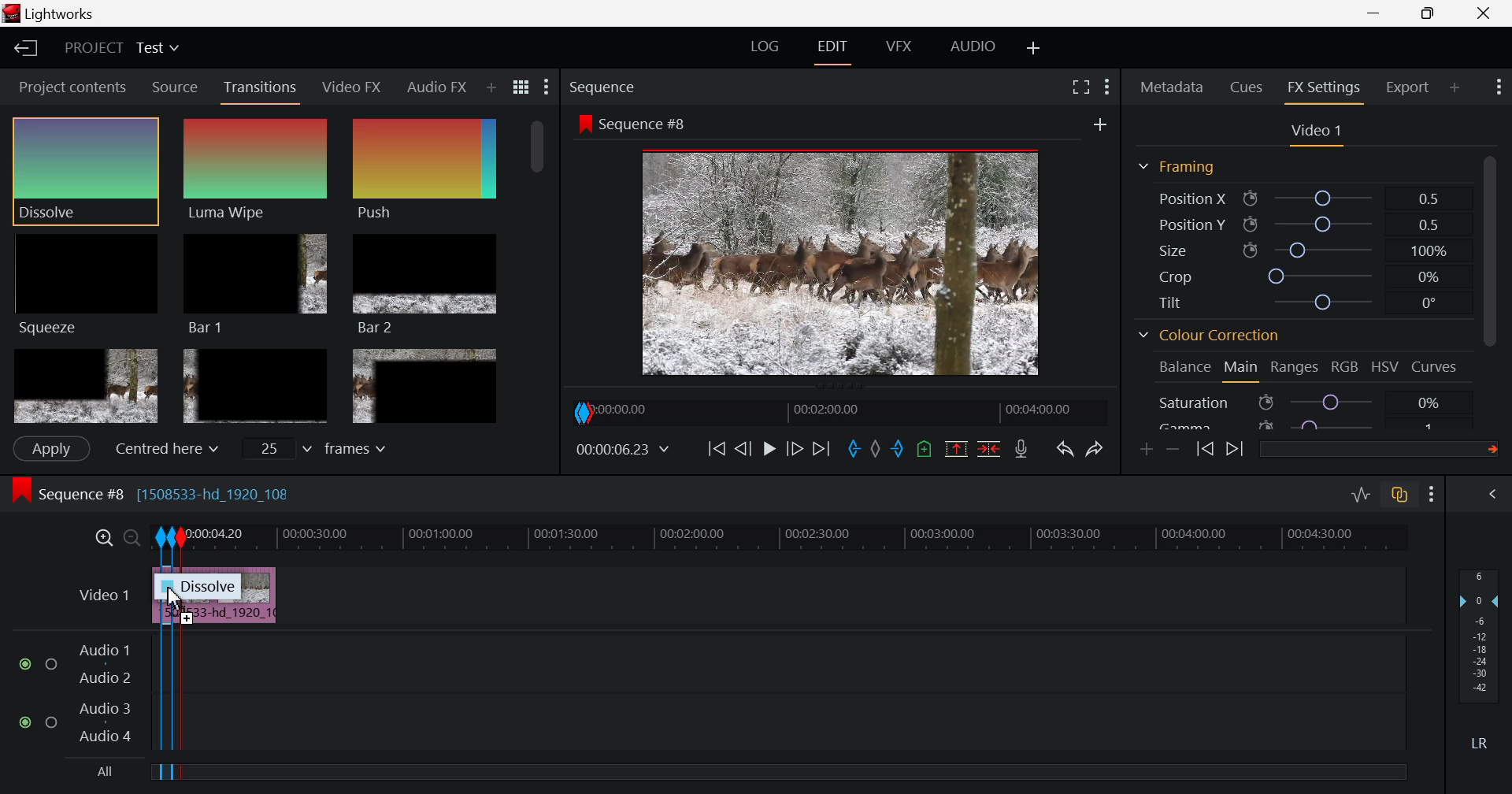 The image size is (1512, 794). I want to click on Segment In & Out Marks Made, so click(169, 710).